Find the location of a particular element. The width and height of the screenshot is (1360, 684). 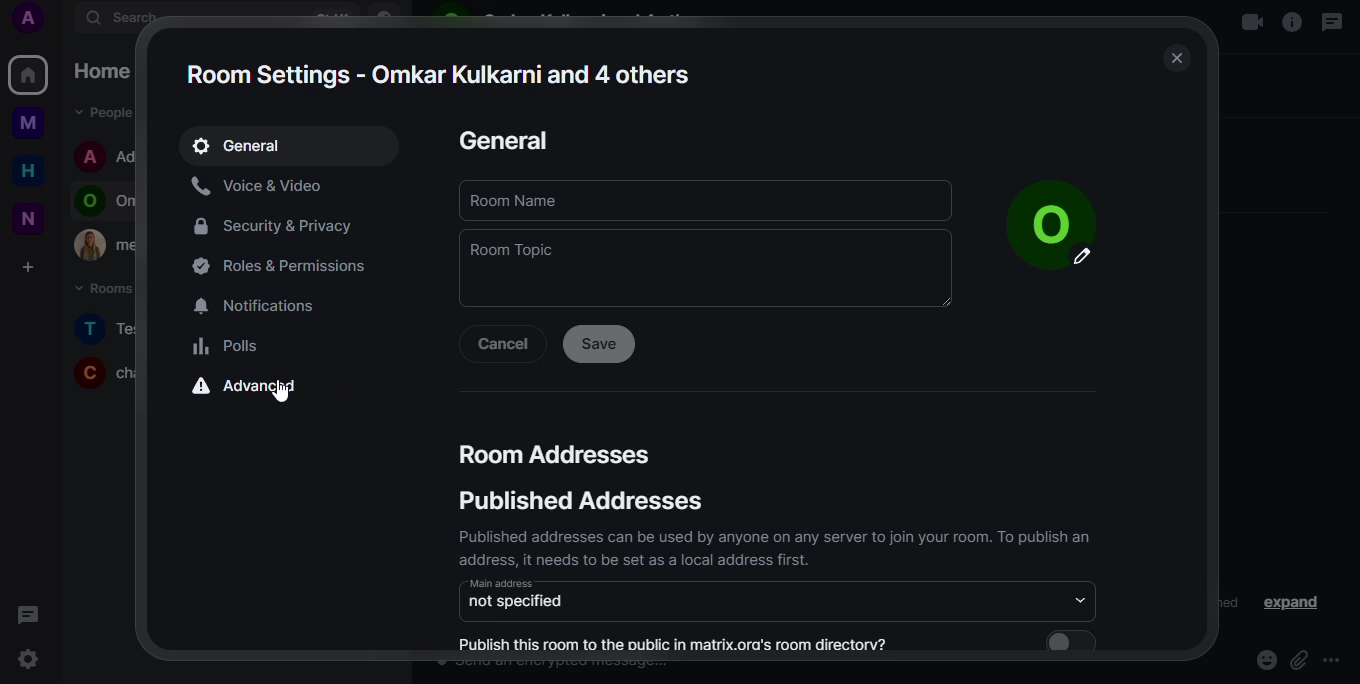

expand is located at coordinates (1287, 603).